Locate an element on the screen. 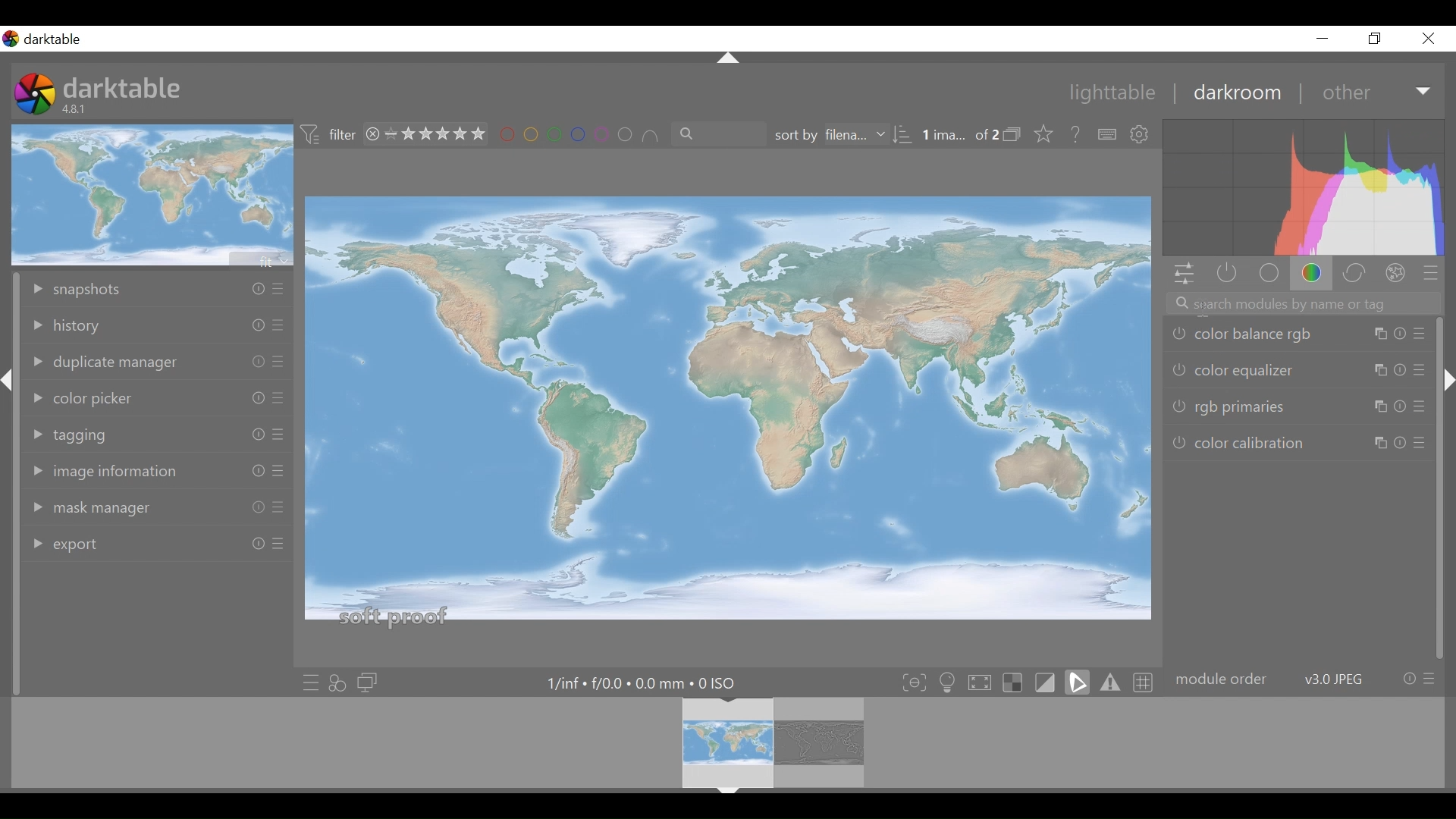 The image size is (1456, 819). show global preferences is located at coordinates (1143, 136).